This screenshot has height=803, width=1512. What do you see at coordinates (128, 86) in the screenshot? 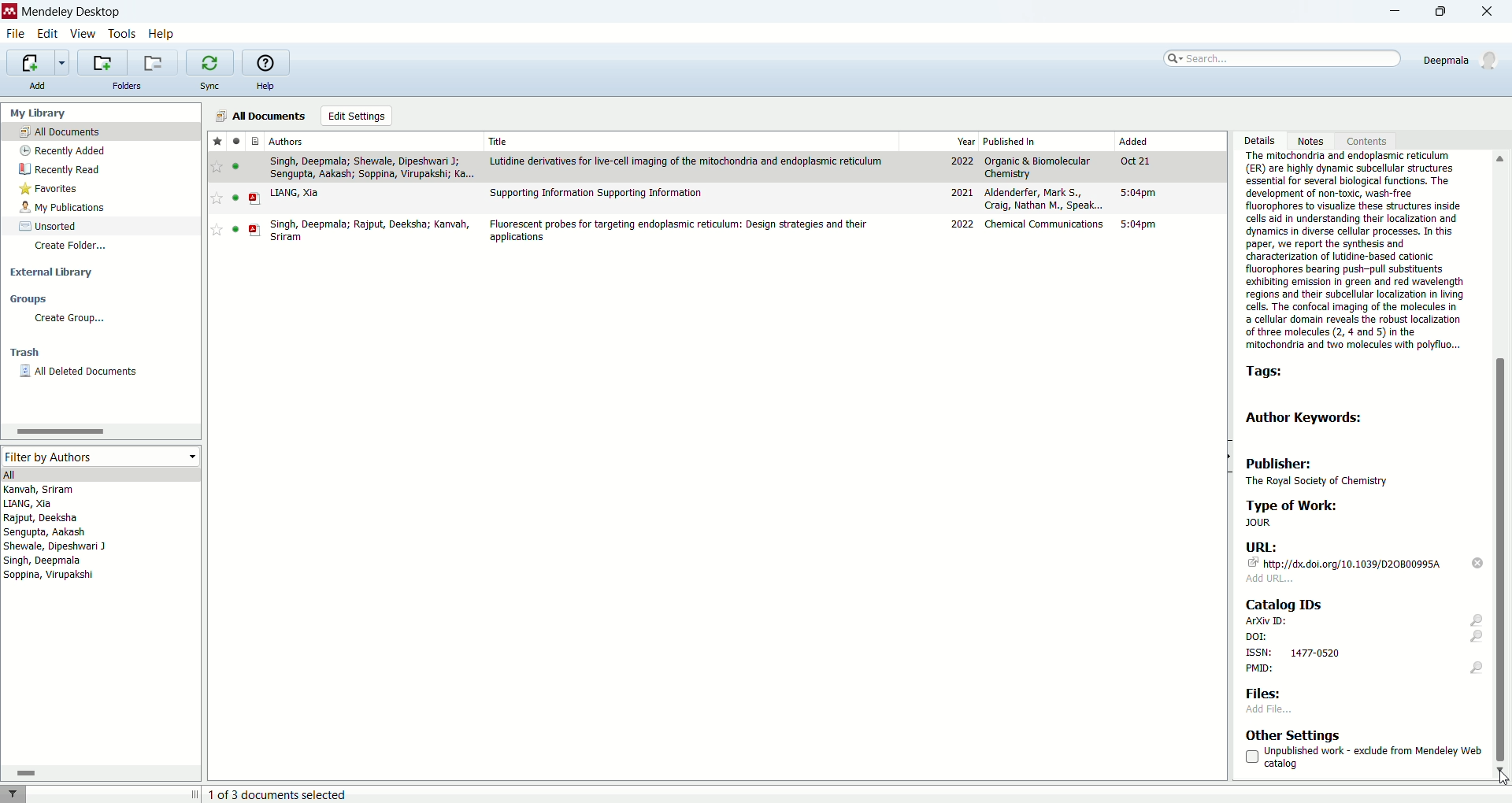
I see `folders` at bounding box center [128, 86].